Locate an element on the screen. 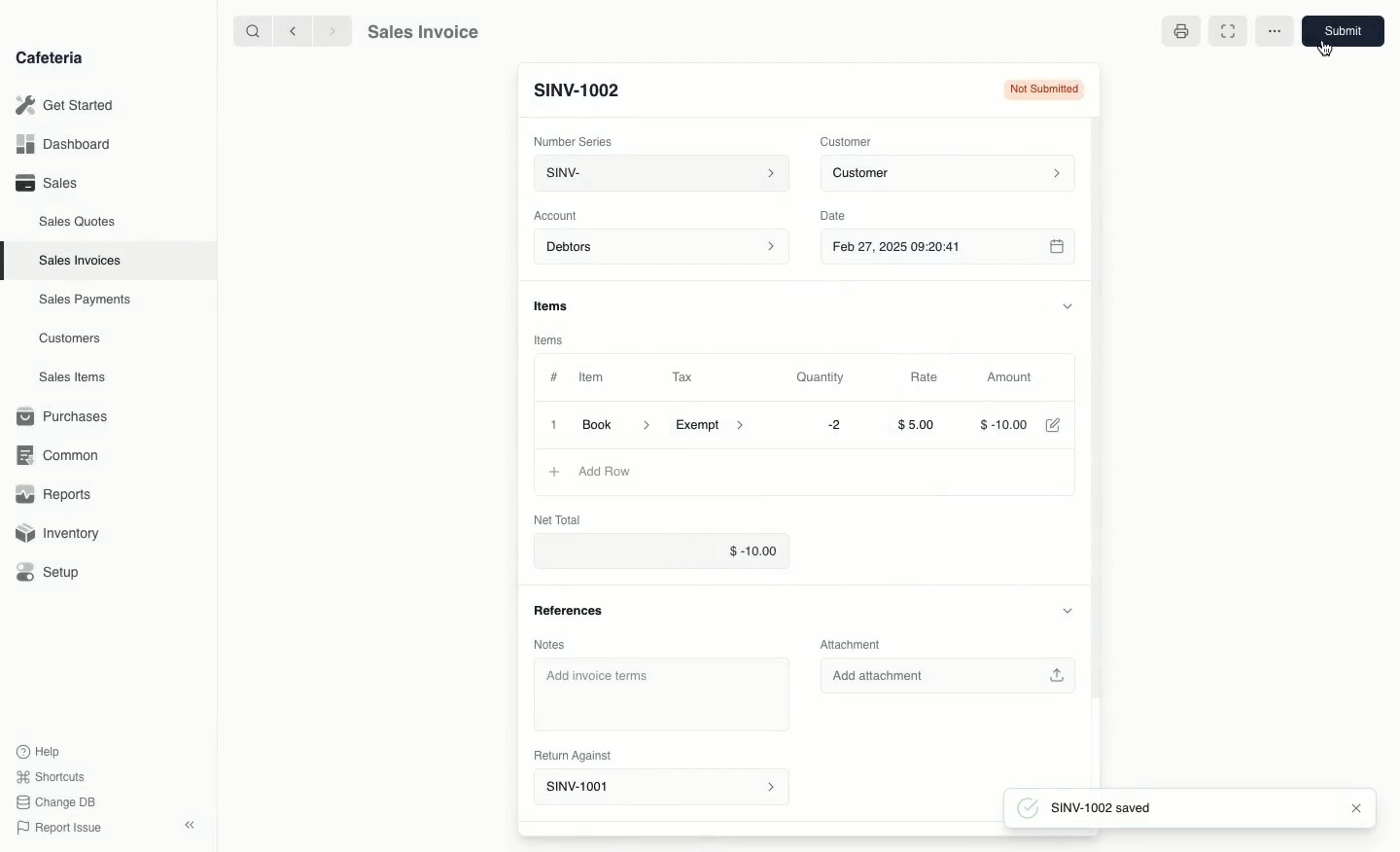 The image size is (1400, 852). Sales Invoice is located at coordinates (423, 32).